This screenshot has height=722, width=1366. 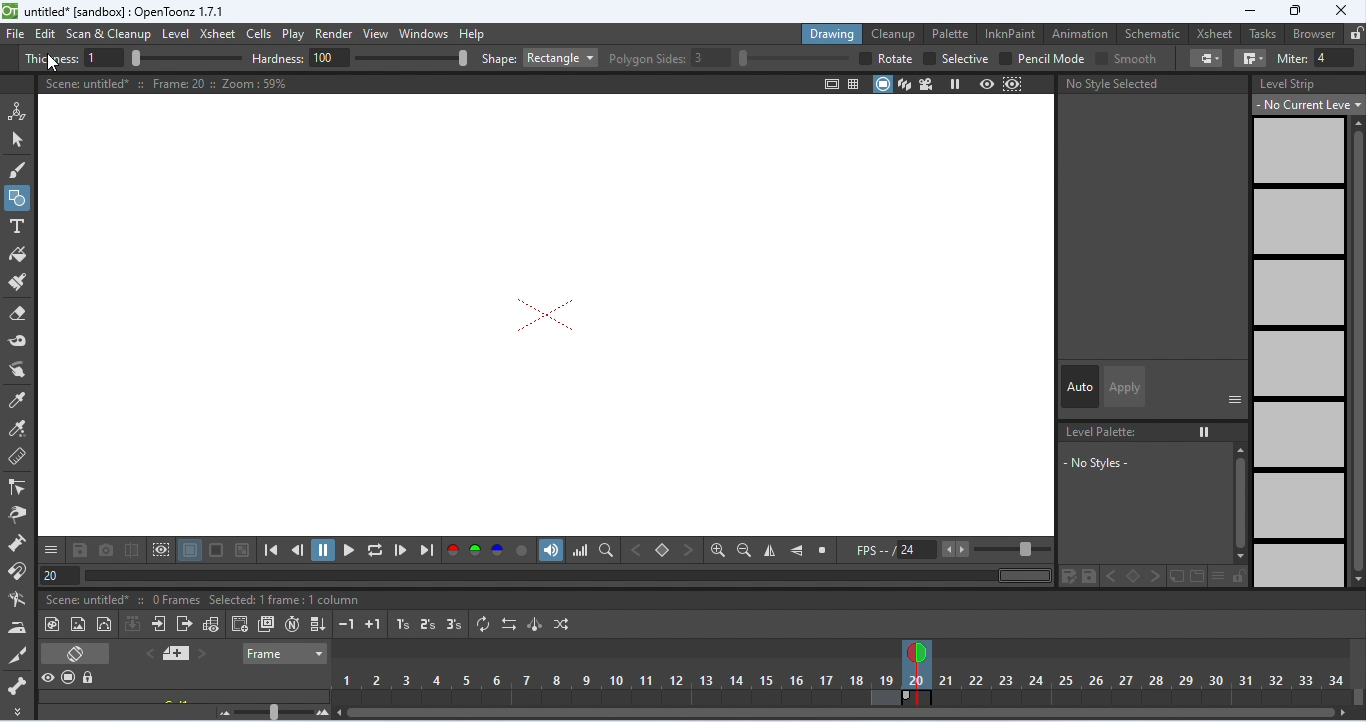 What do you see at coordinates (323, 550) in the screenshot?
I see `pause` at bounding box center [323, 550].